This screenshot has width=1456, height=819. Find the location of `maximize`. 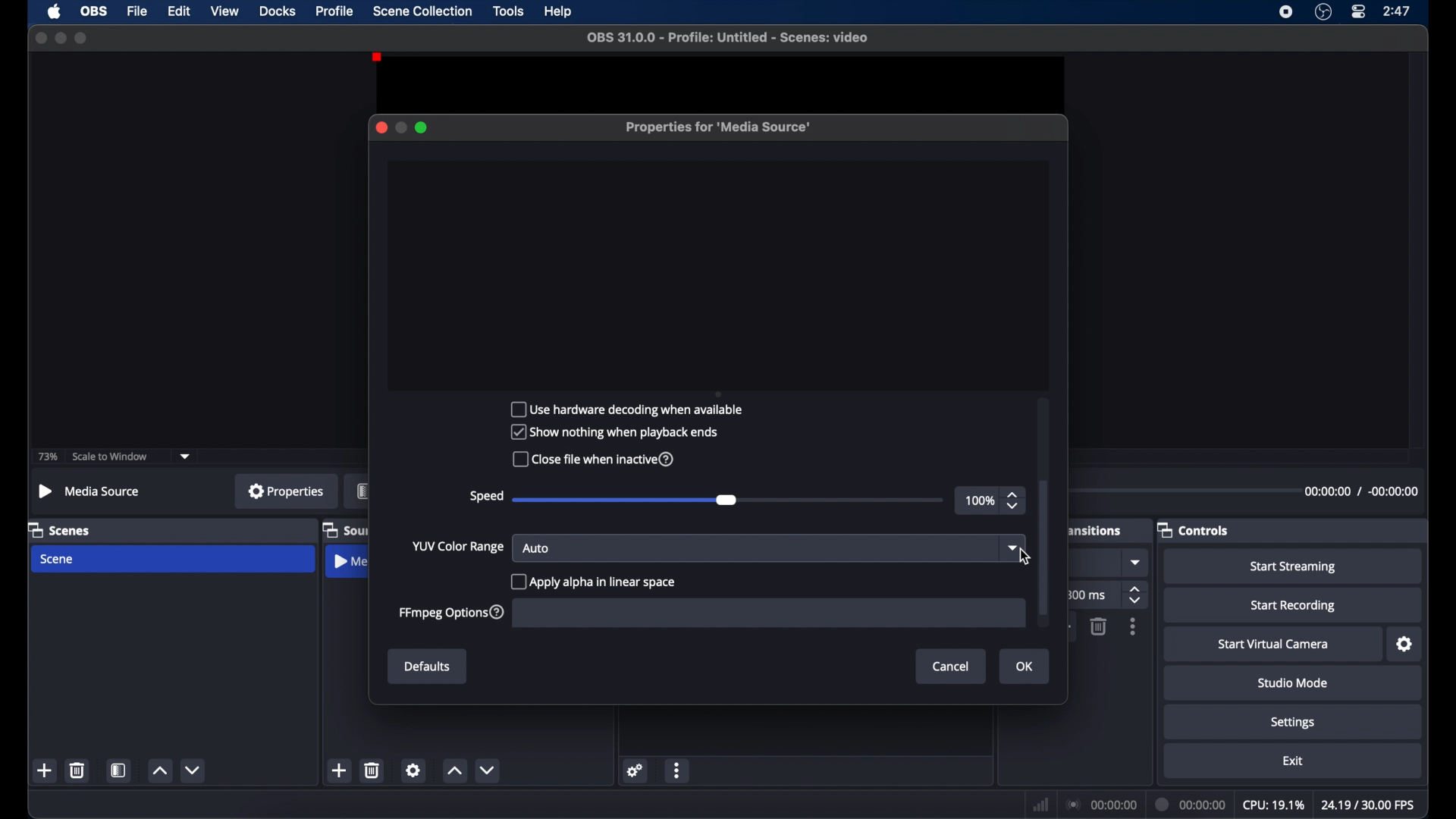

maximize is located at coordinates (82, 39).